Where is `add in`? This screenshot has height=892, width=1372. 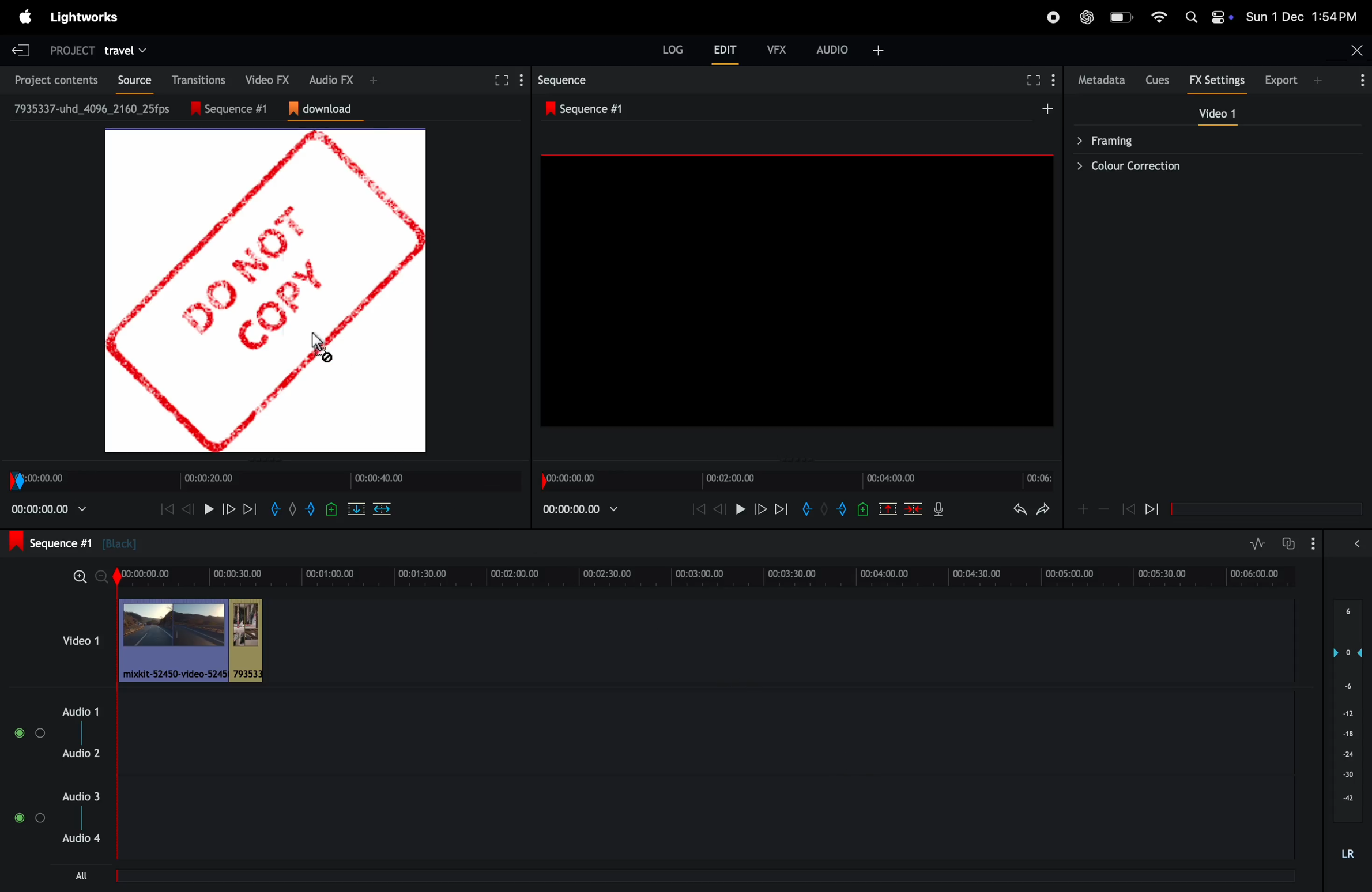 add in is located at coordinates (274, 509).